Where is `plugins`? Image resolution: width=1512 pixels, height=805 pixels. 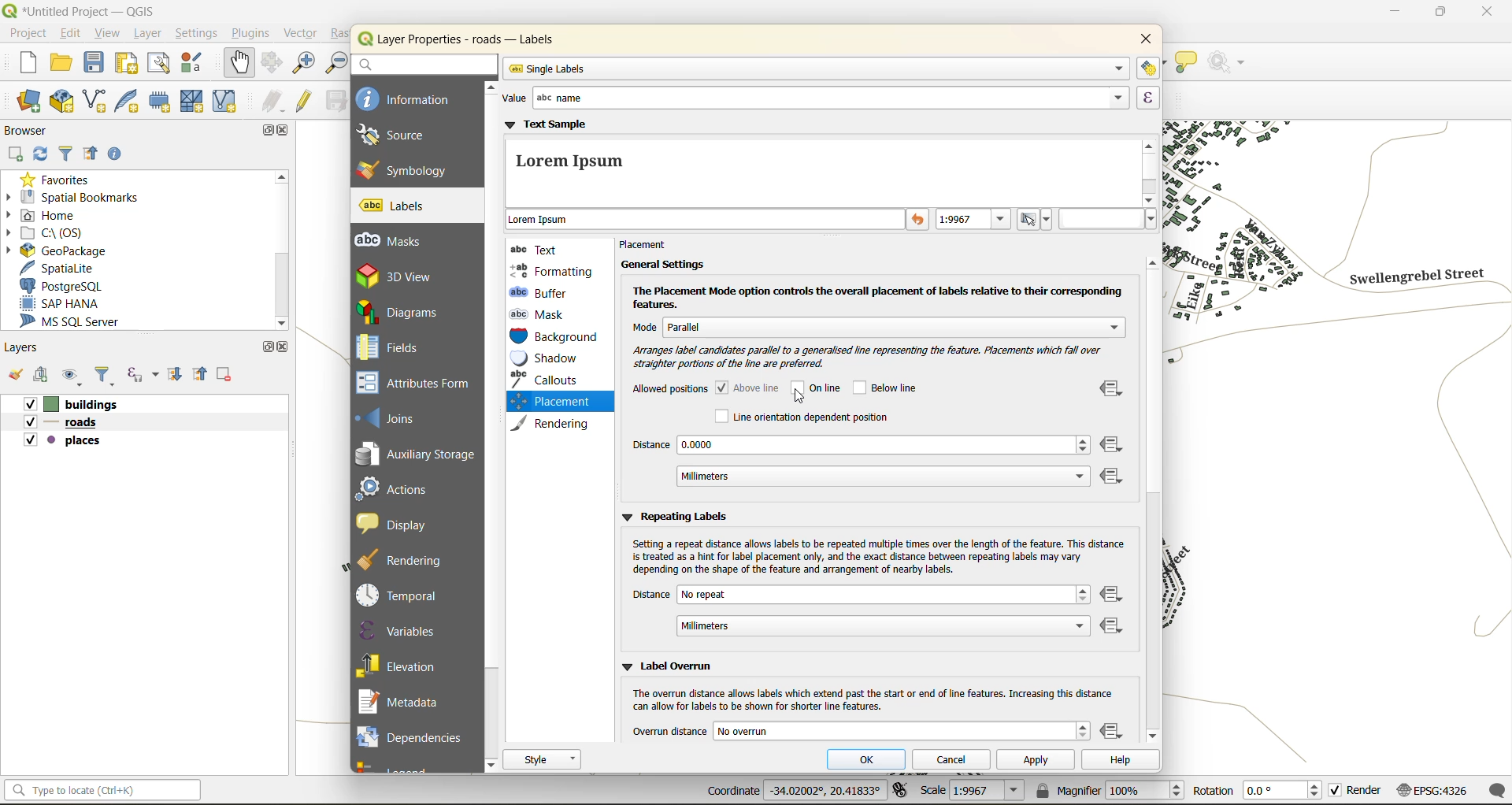
plugins is located at coordinates (251, 35).